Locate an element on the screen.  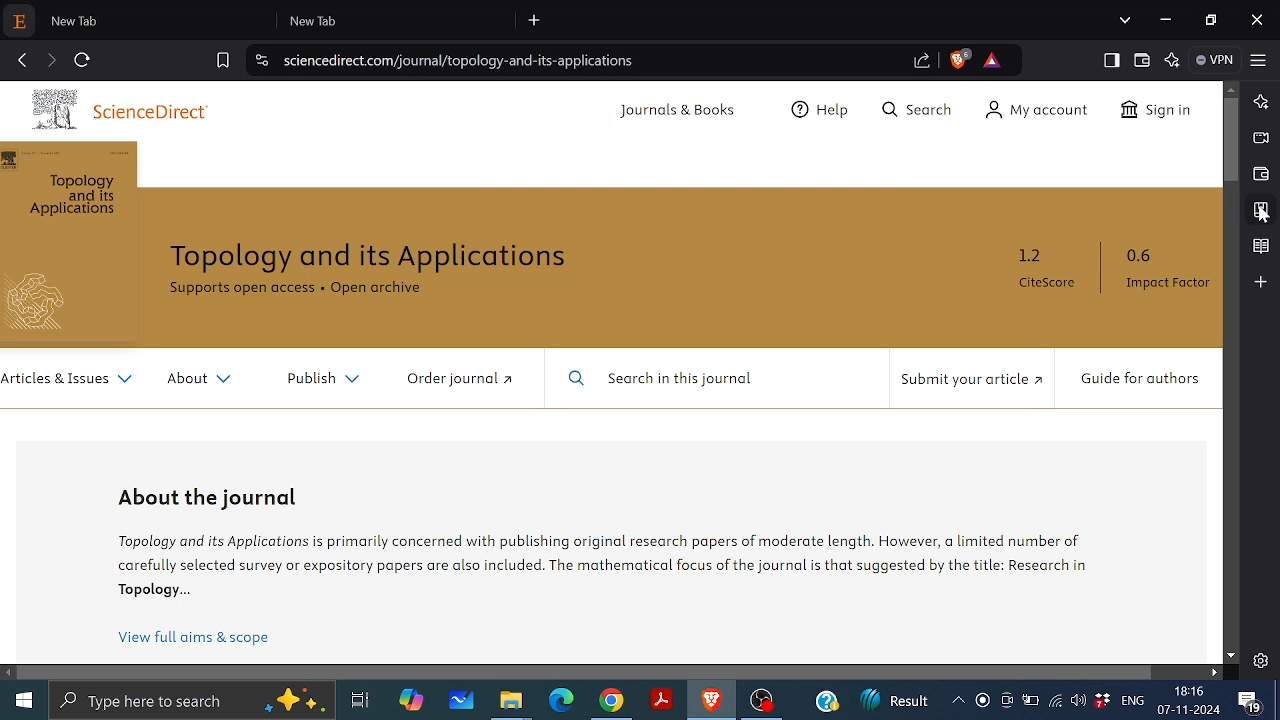
Open Archive is located at coordinates (385, 290).